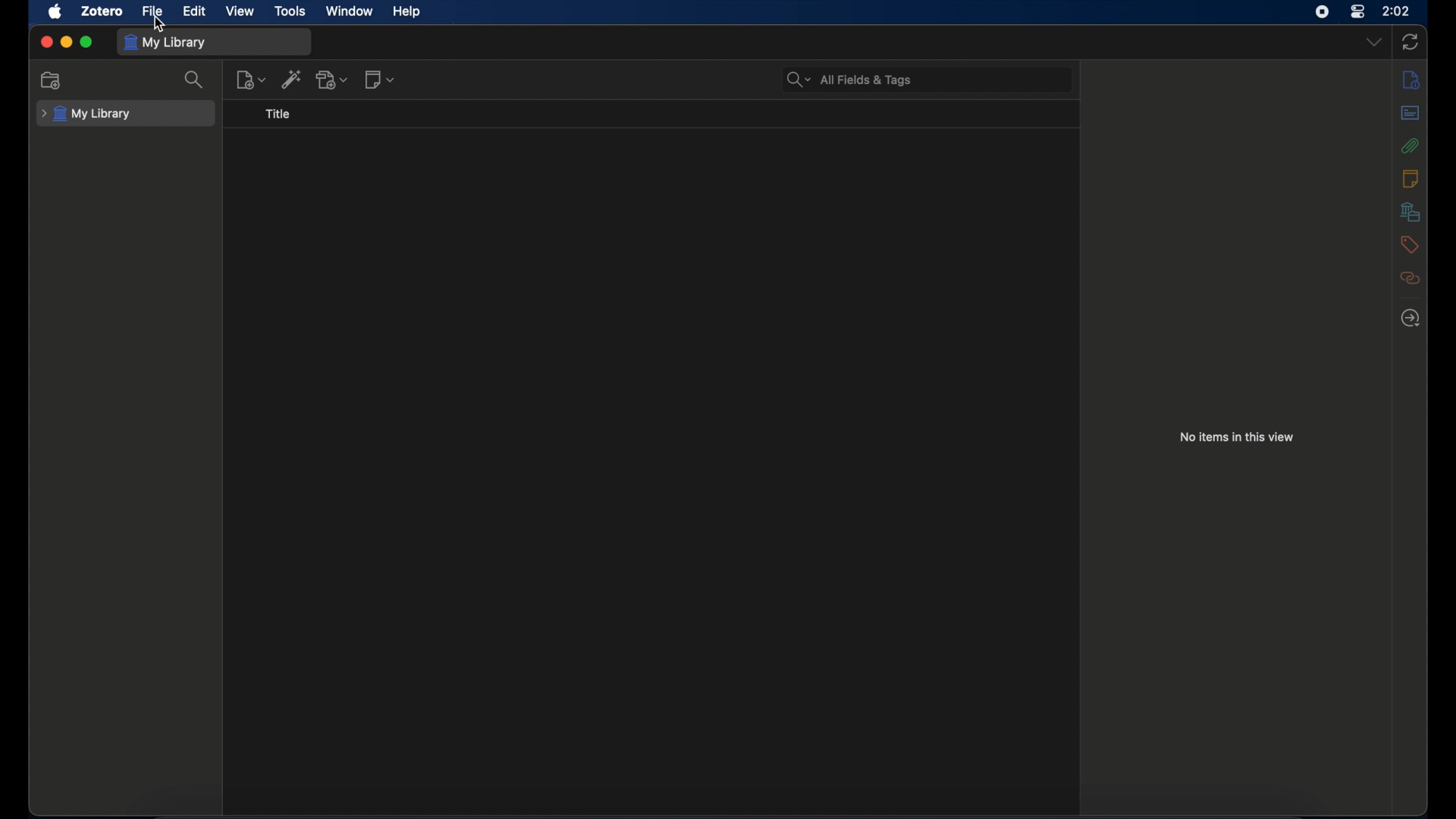 The image size is (1456, 819). What do you see at coordinates (1409, 278) in the screenshot?
I see `related` at bounding box center [1409, 278].